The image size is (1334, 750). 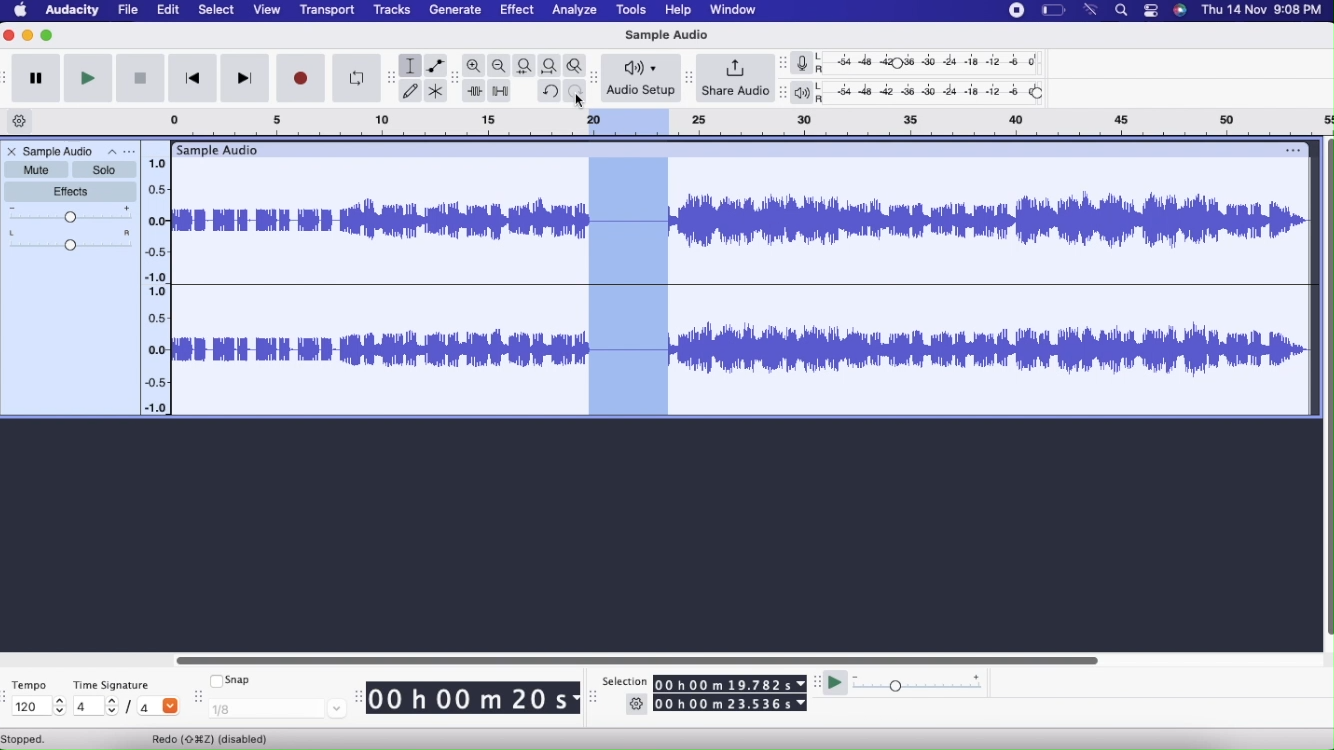 I want to click on Mute, so click(x=37, y=170).